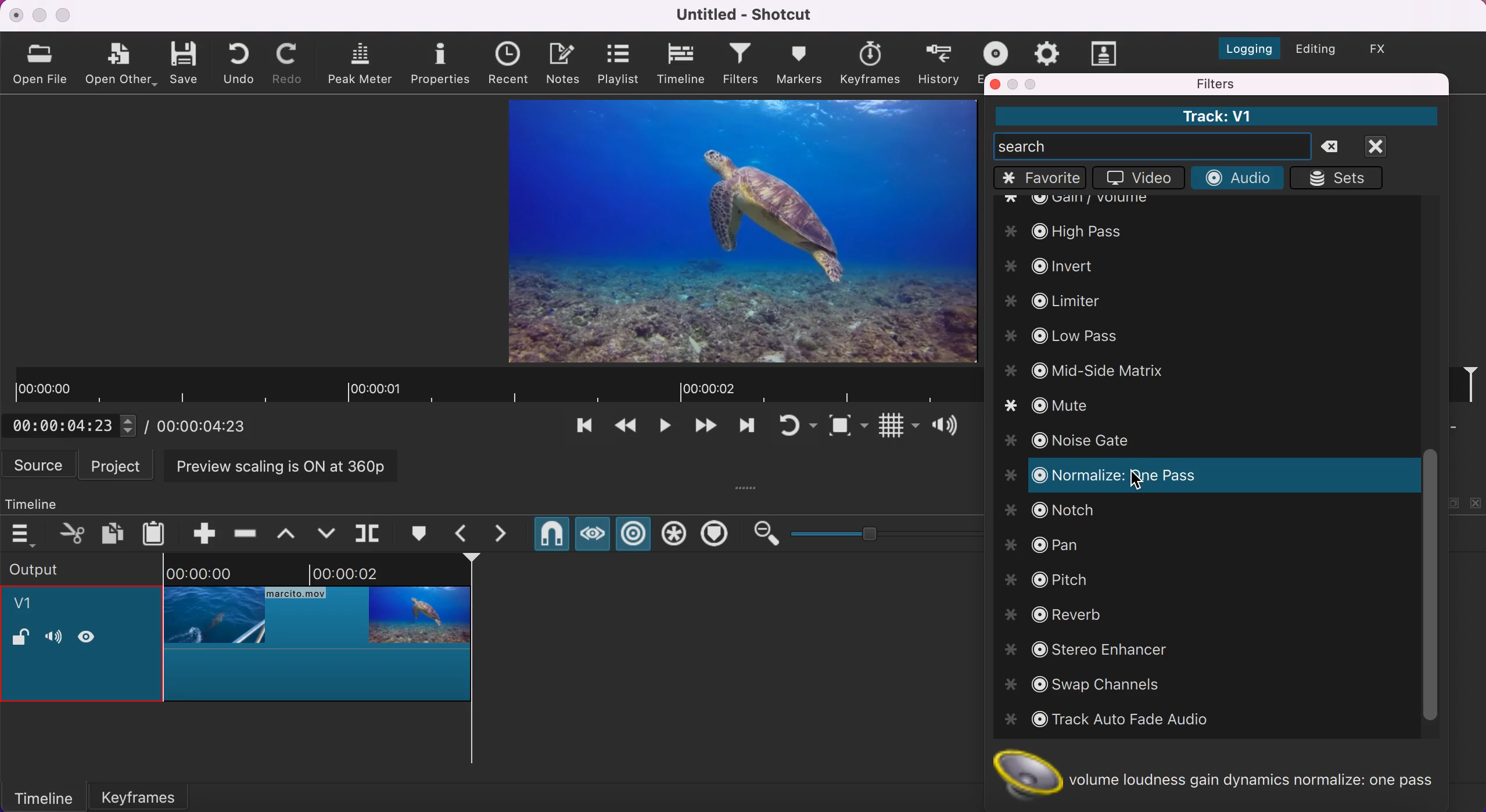 The width and height of the screenshot is (1486, 812). Describe the element at coordinates (30, 605) in the screenshot. I see `v1` at that location.